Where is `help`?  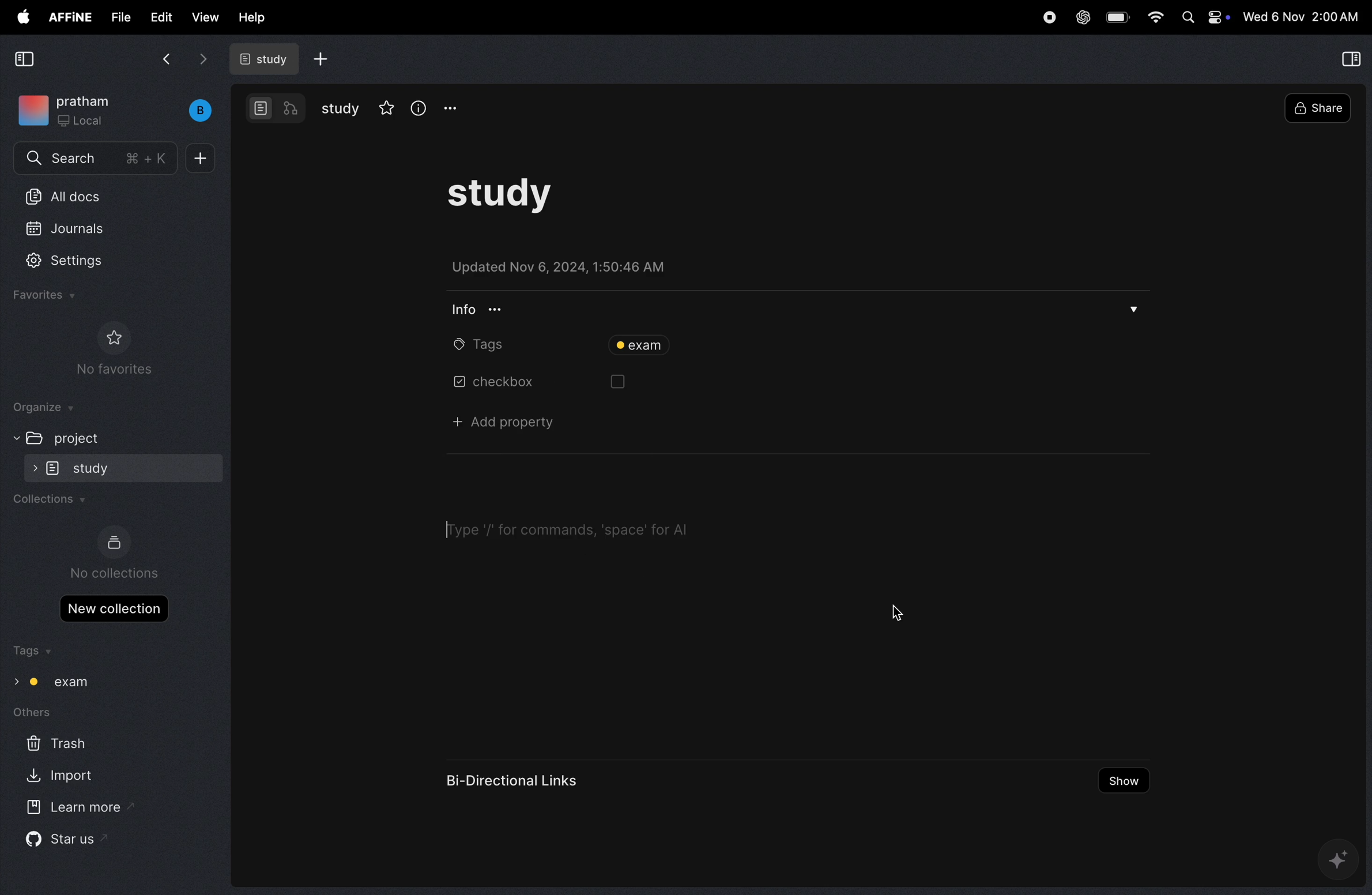
help is located at coordinates (250, 18).